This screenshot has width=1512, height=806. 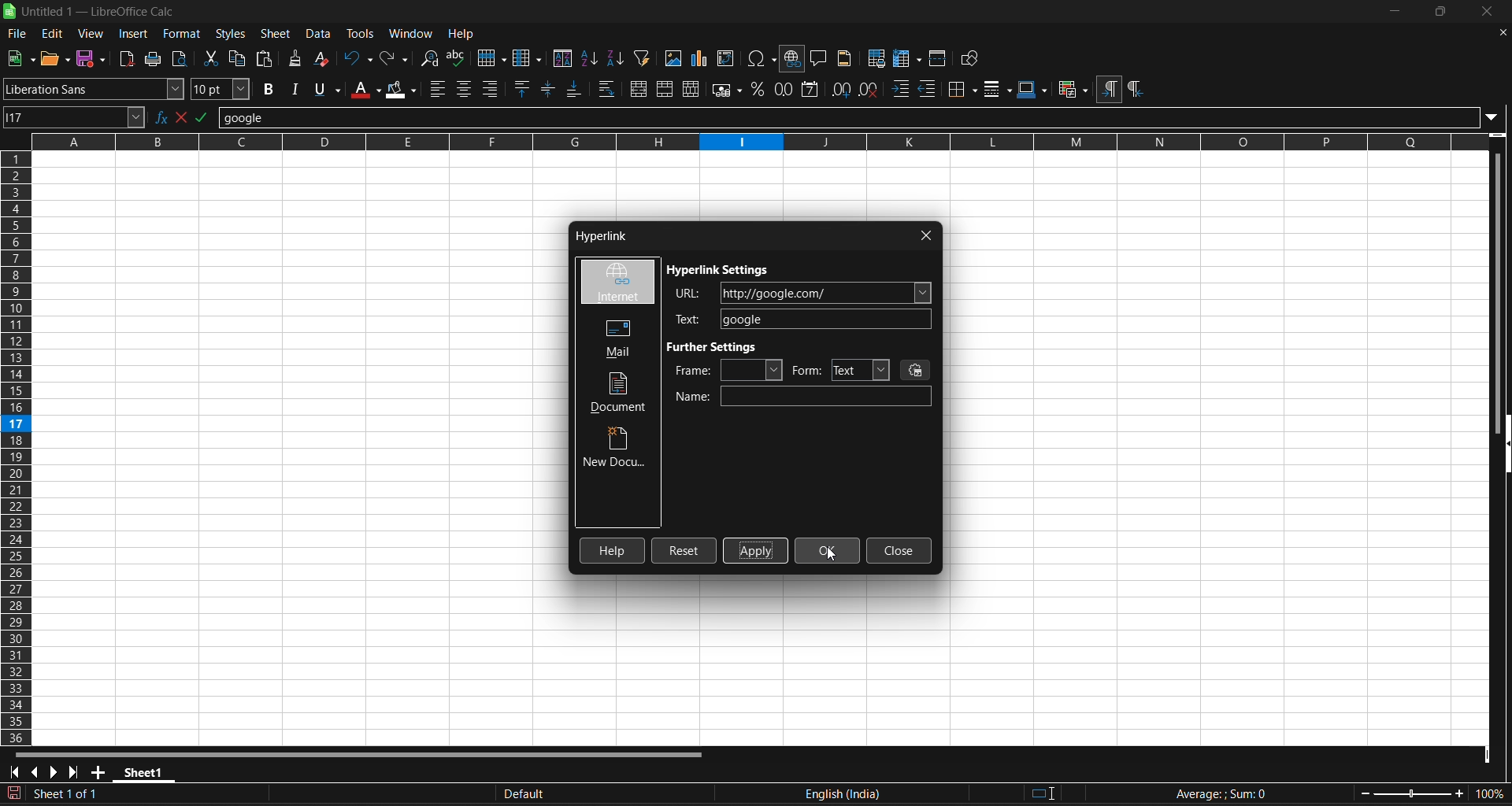 I want to click on border styles, so click(x=998, y=89).